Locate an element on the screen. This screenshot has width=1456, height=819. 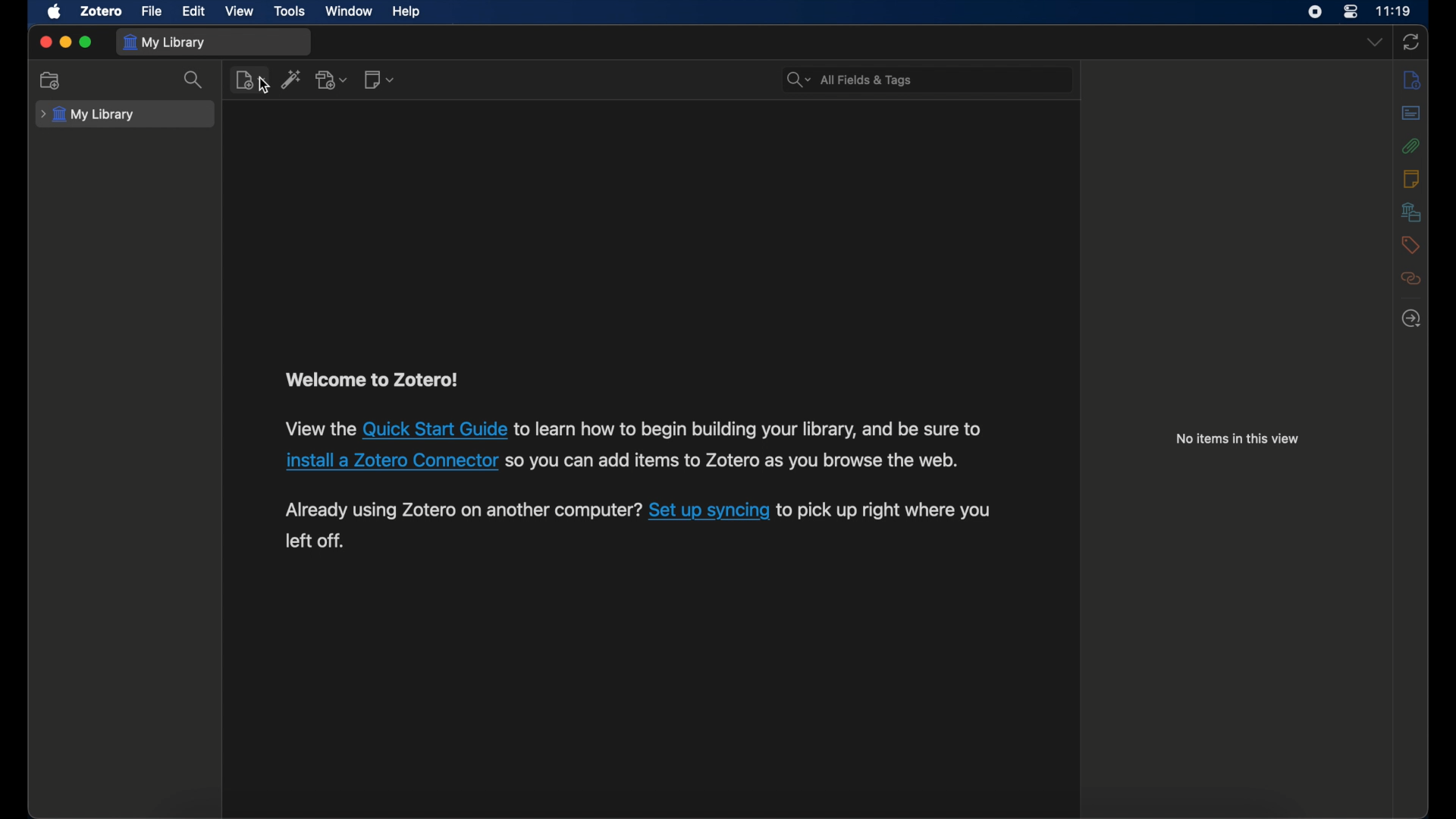
zotero is located at coordinates (99, 11).